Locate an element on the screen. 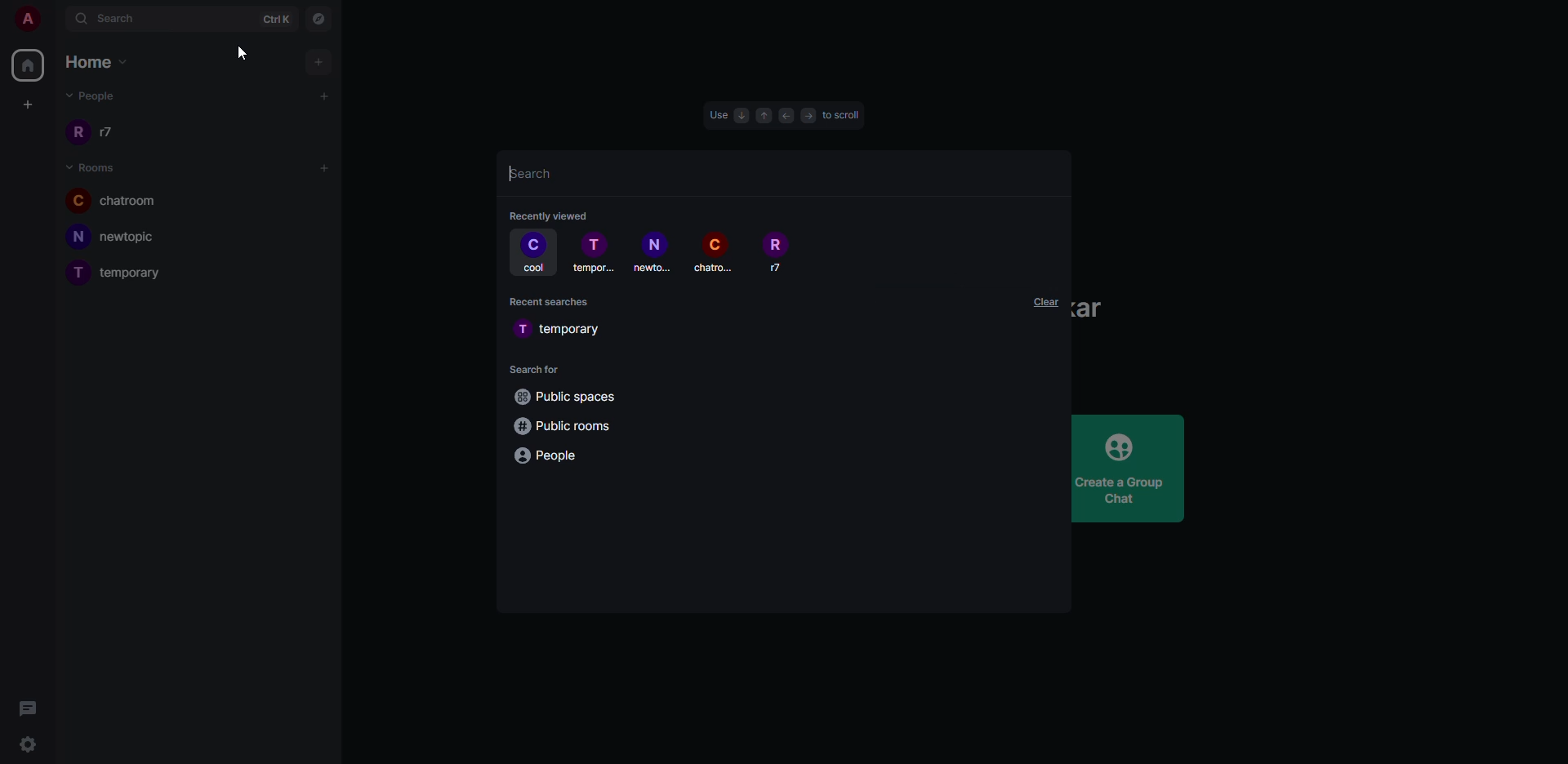  create group chat is located at coordinates (1130, 467).